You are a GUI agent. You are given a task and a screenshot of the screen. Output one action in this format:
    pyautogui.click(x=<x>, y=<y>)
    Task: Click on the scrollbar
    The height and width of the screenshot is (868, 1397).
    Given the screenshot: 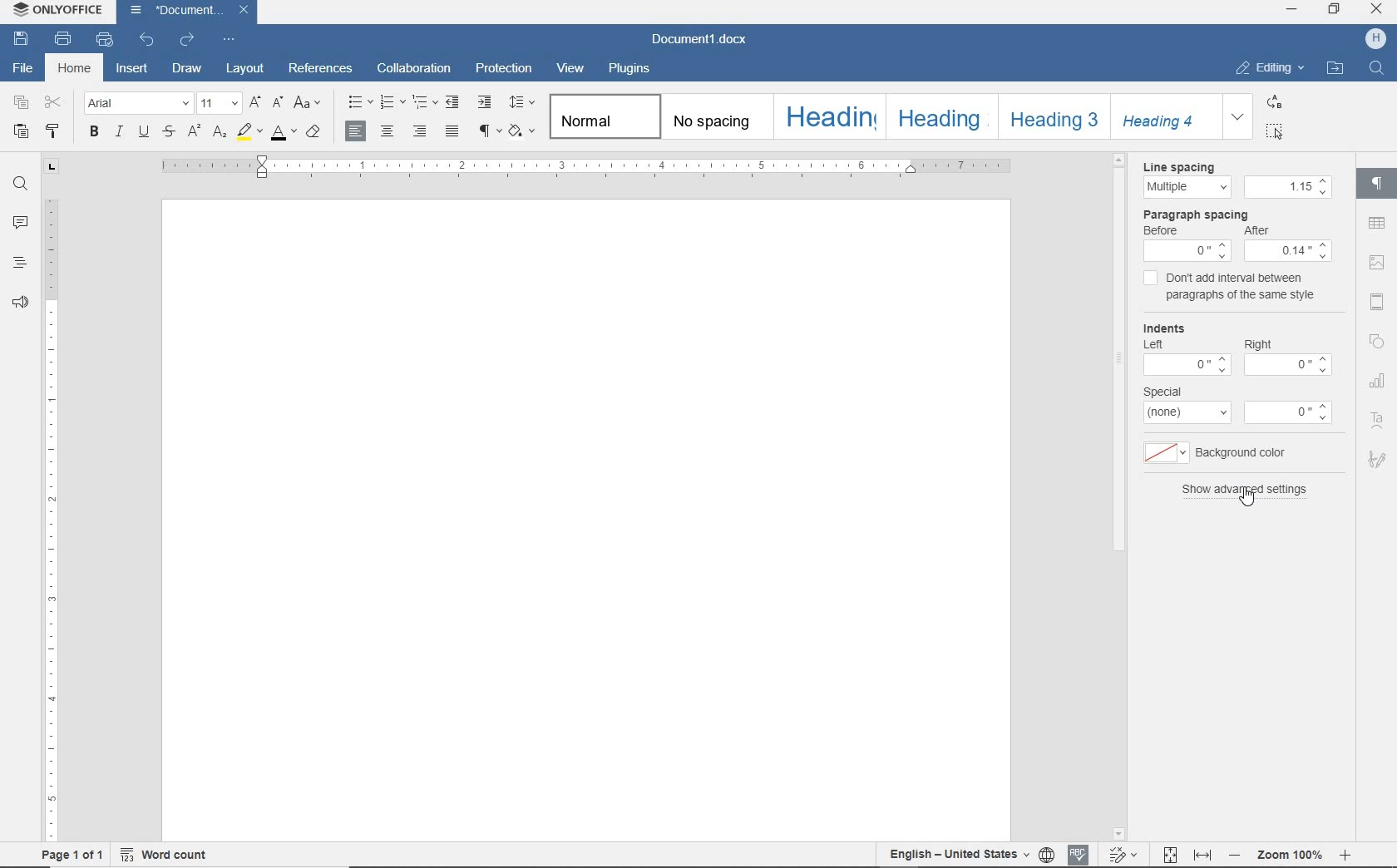 What is the action you would take?
    pyautogui.click(x=1114, y=354)
    